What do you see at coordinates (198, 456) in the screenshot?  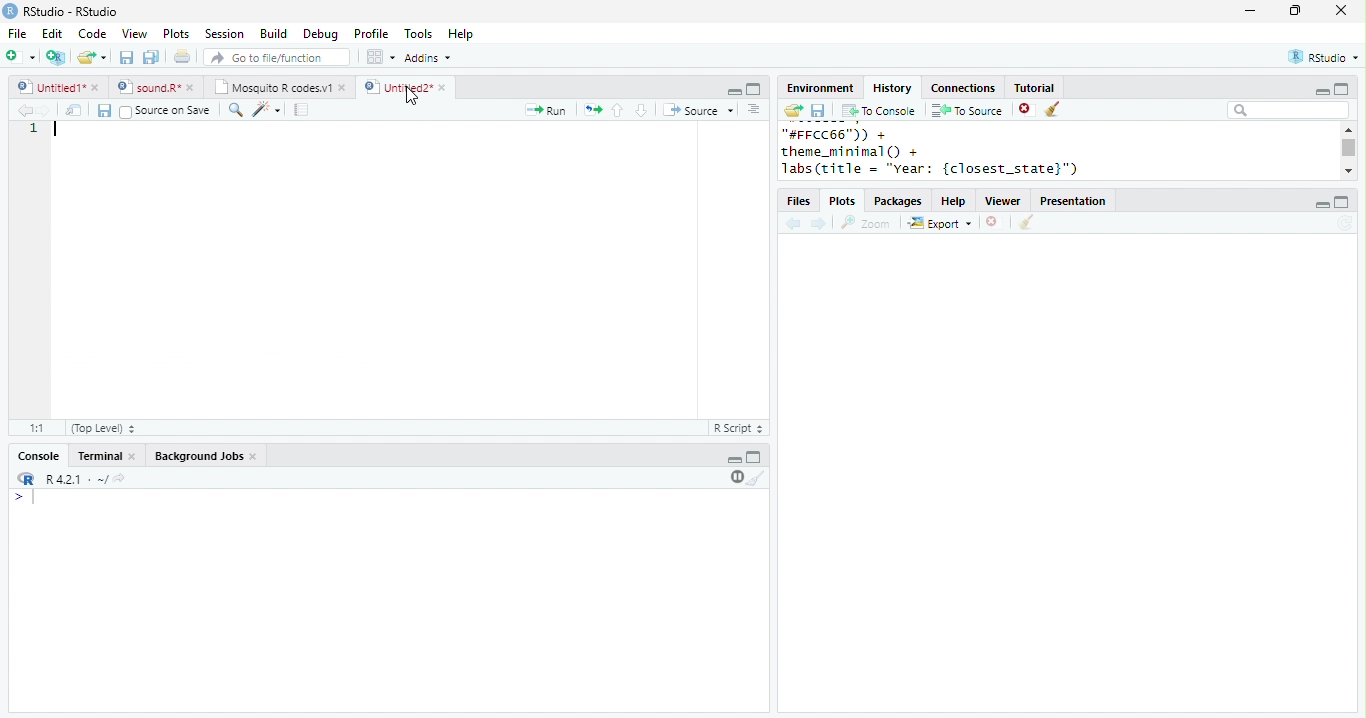 I see `Background Jobs` at bounding box center [198, 456].